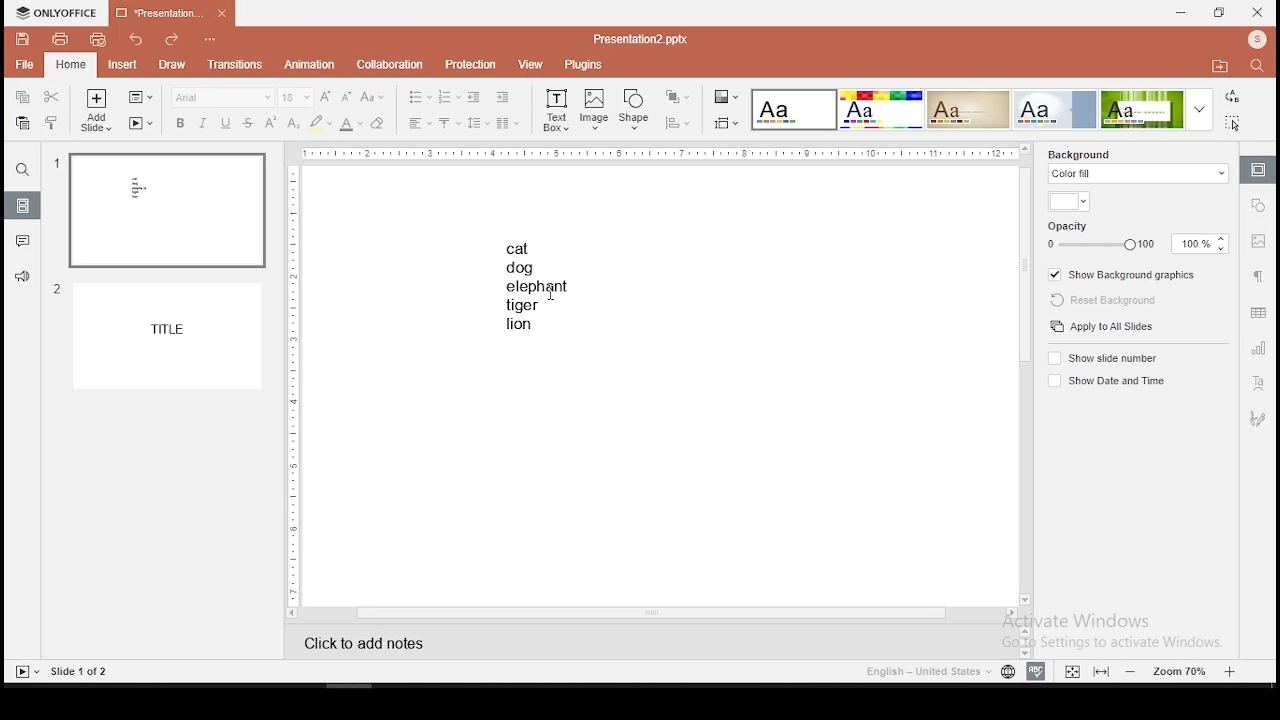 The image size is (1280, 720). What do you see at coordinates (161, 210) in the screenshot?
I see `slide 1` at bounding box center [161, 210].